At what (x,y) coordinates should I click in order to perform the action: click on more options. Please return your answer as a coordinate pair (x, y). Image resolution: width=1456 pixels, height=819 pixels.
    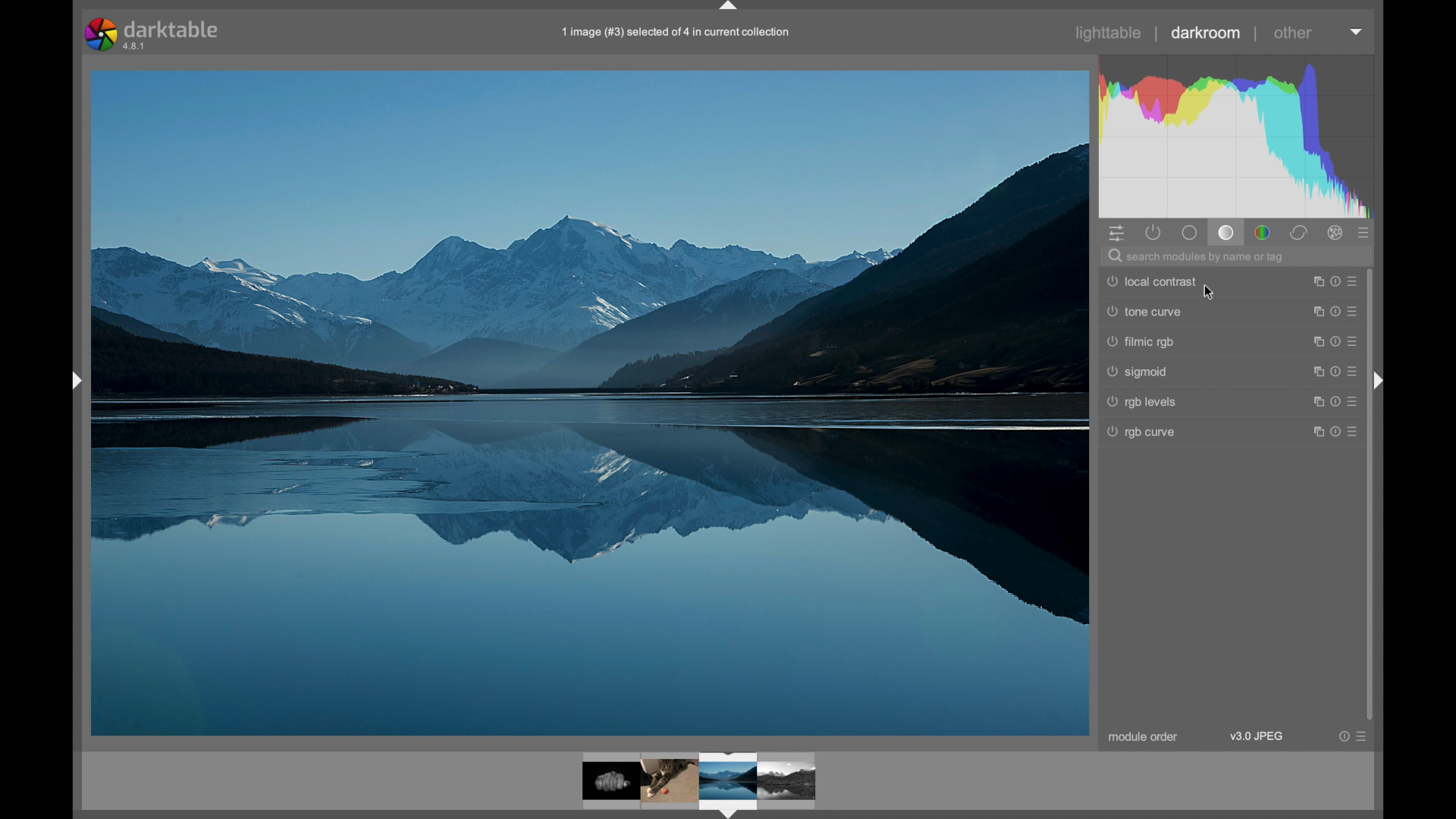
    Looking at the image, I should click on (1335, 342).